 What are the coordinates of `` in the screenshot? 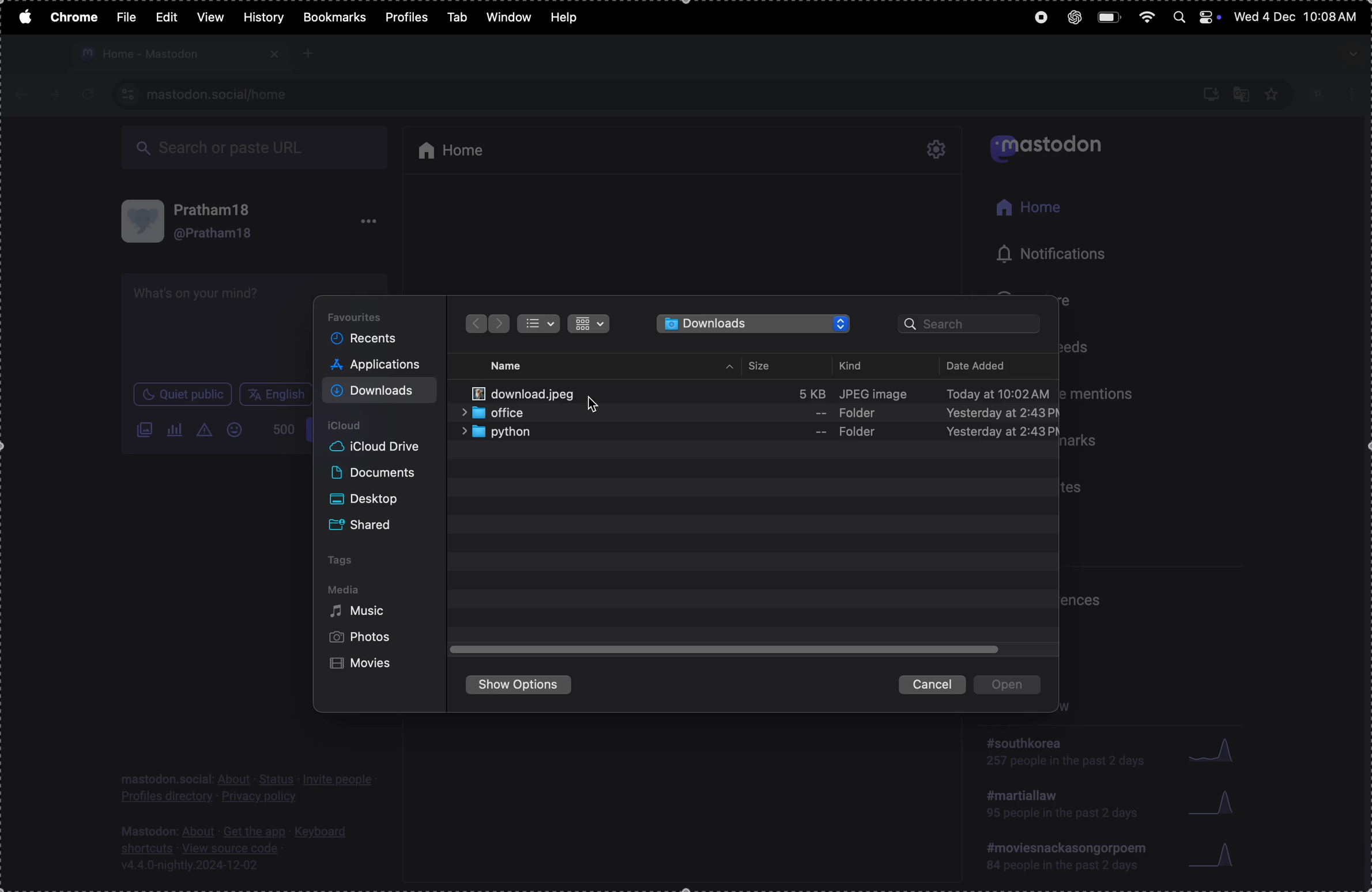 It's located at (500, 324).